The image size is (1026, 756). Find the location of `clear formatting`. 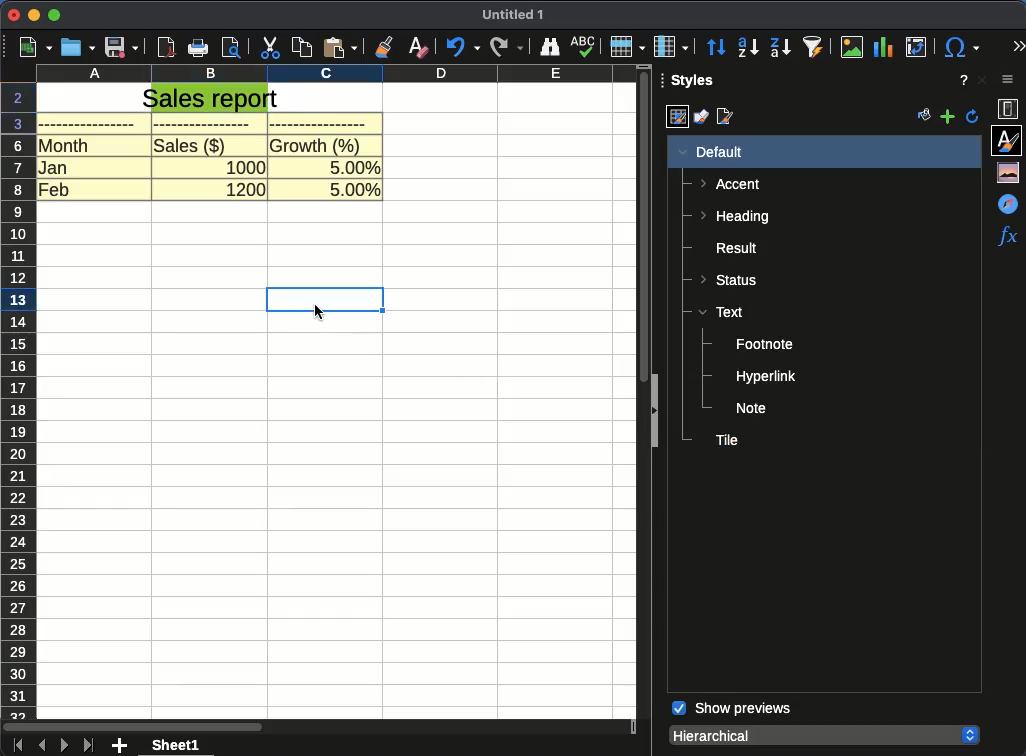

clear formatting is located at coordinates (419, 47).